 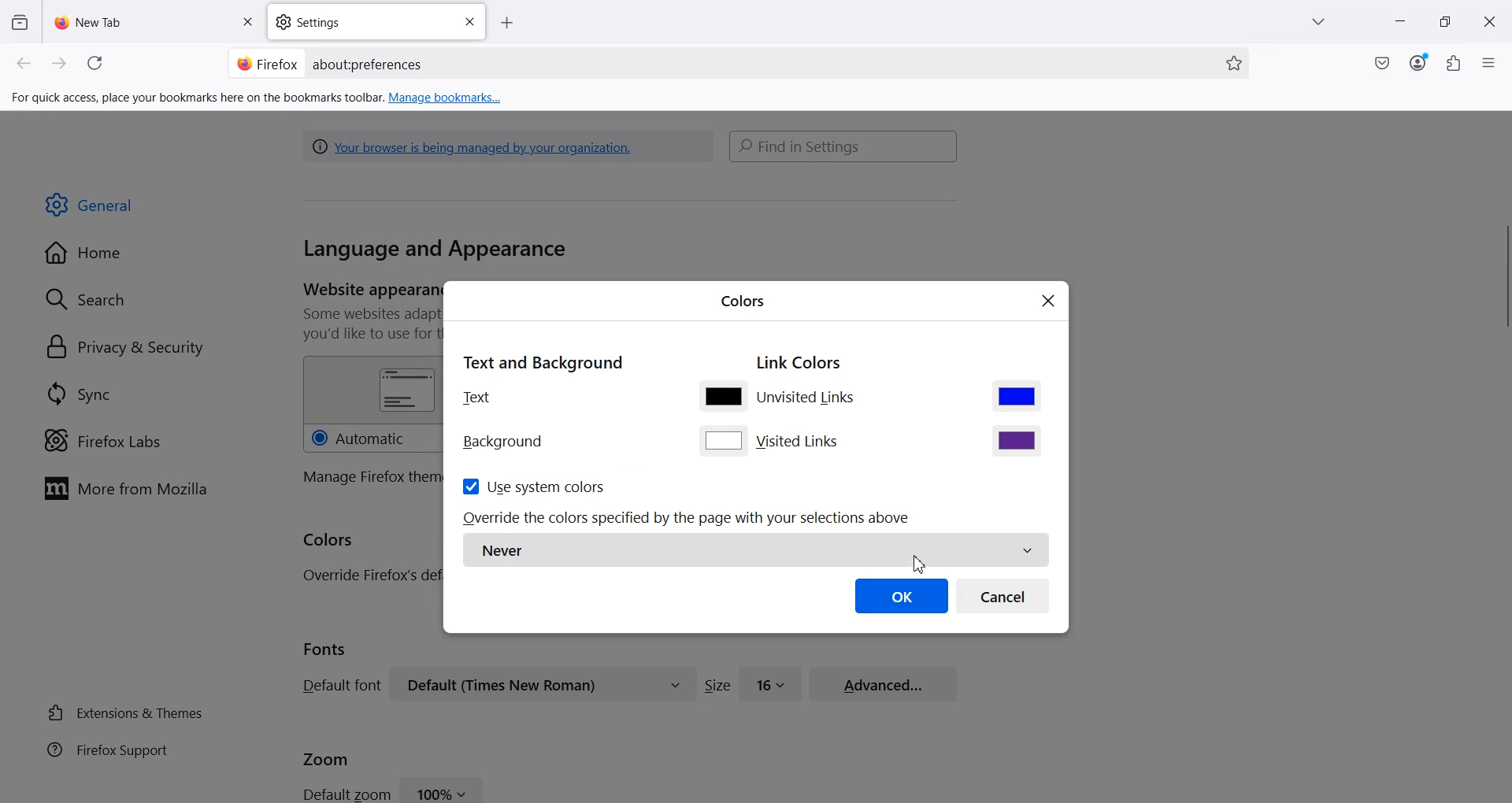 What do you see at coordinates (339, 685) in the screenshot?
I see `Default font` at bounding box center [339, 685].